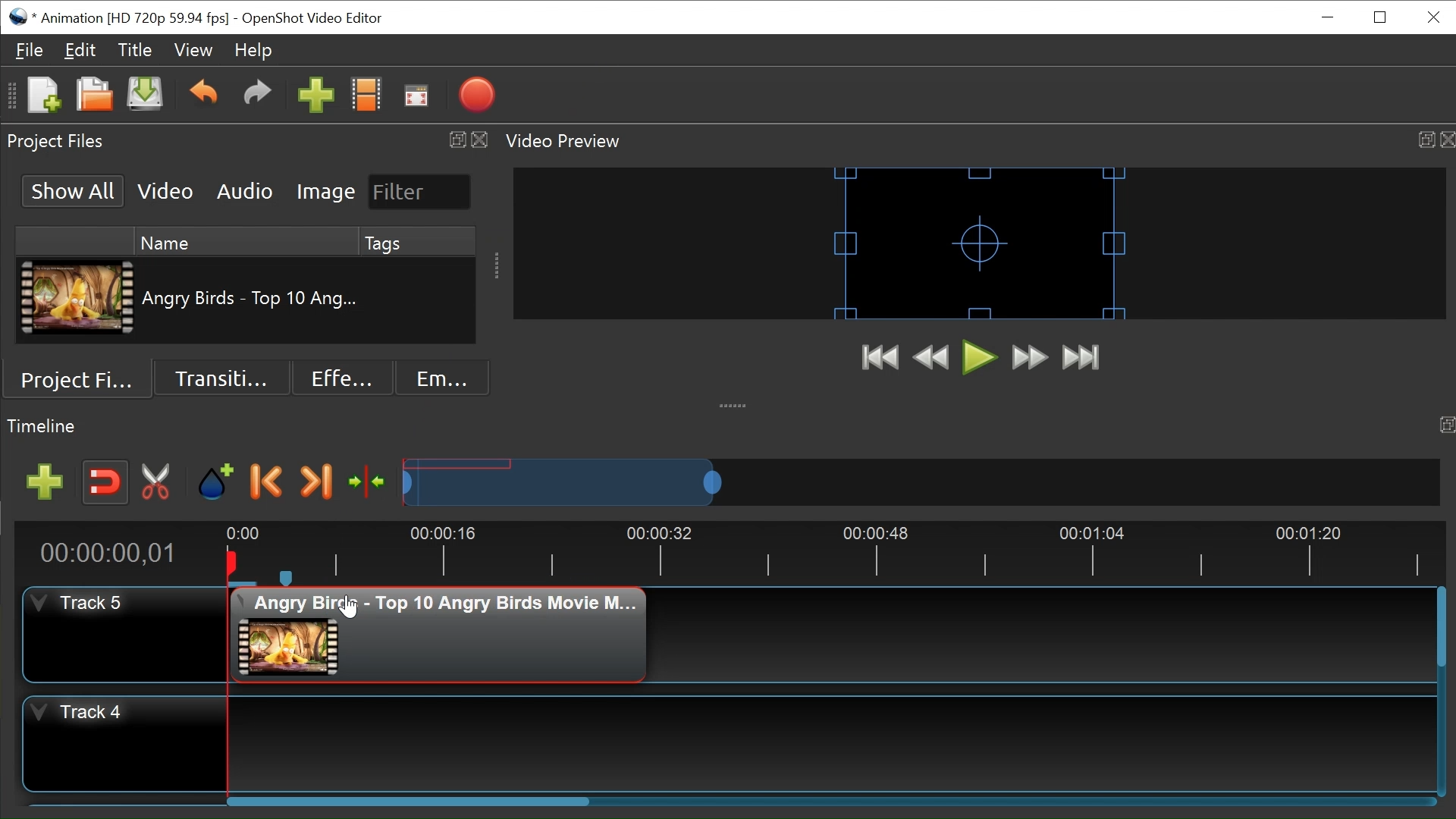  Describe the element at coordinates (320, 19) in the screenshot. I see `OpenShot Video Editor` at that location.